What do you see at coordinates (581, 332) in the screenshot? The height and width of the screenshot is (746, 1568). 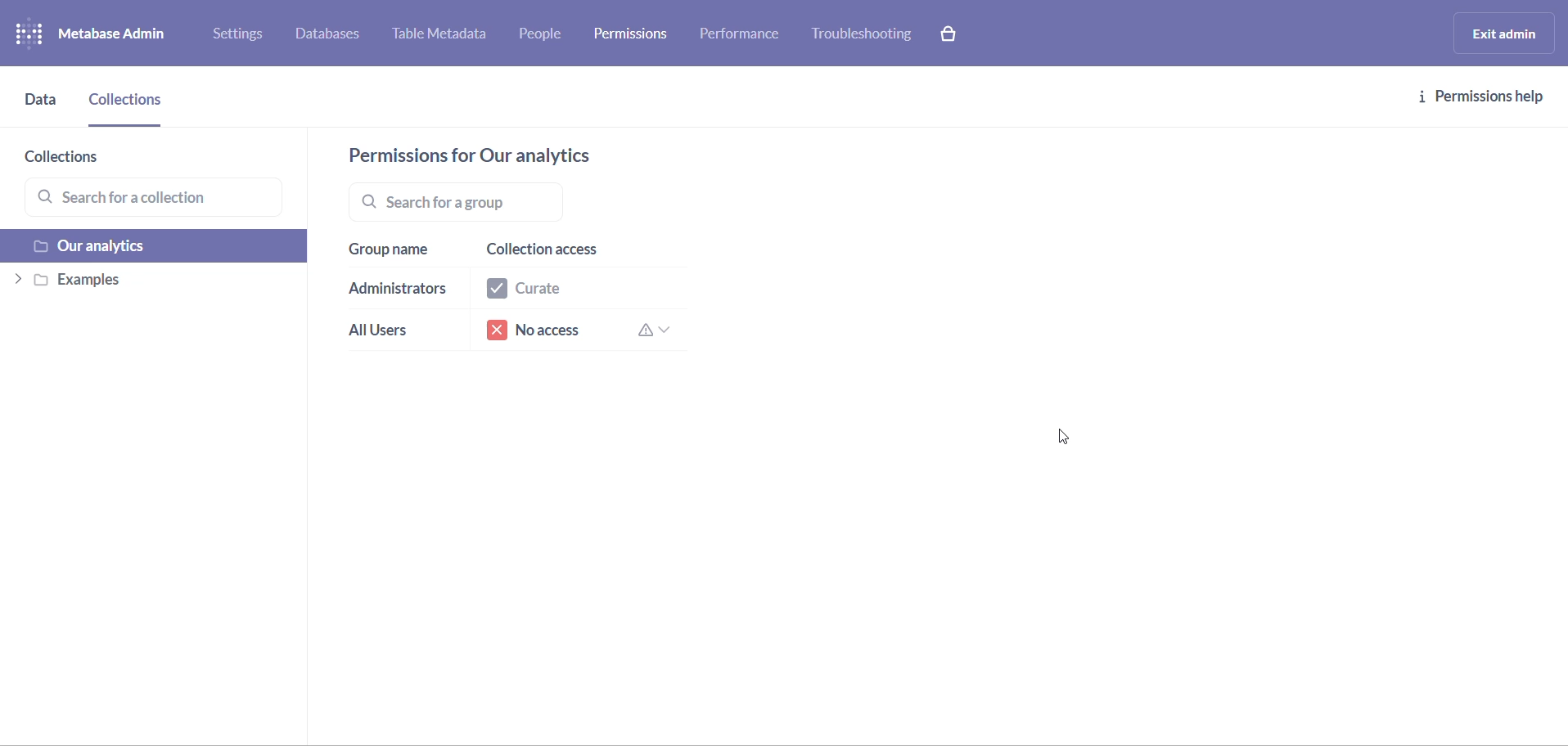 I see `access level` at bounding box center [581, 332].